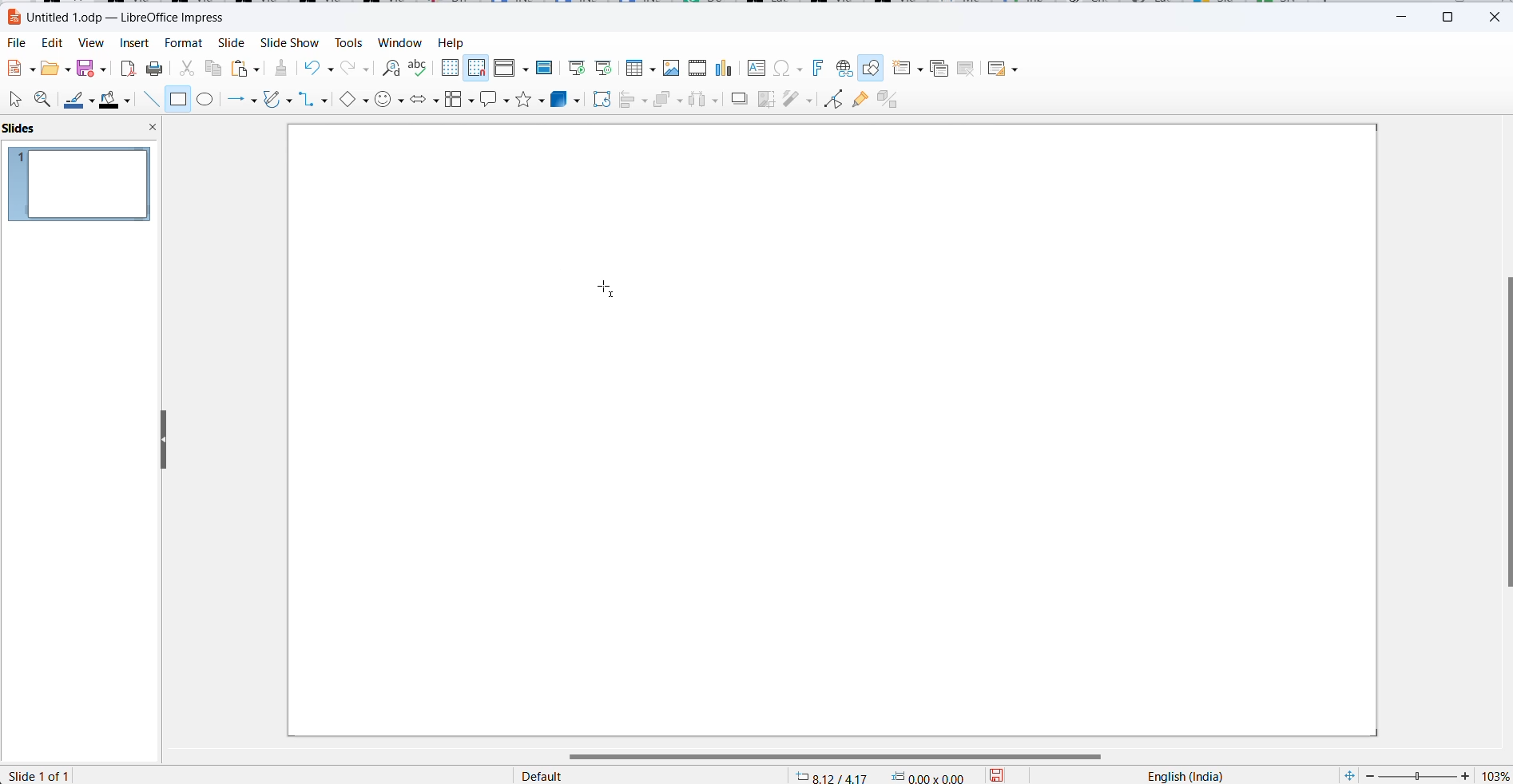  Describe the element at coordinates (313, 101) in the screenshot. I see `connectors` at that location.